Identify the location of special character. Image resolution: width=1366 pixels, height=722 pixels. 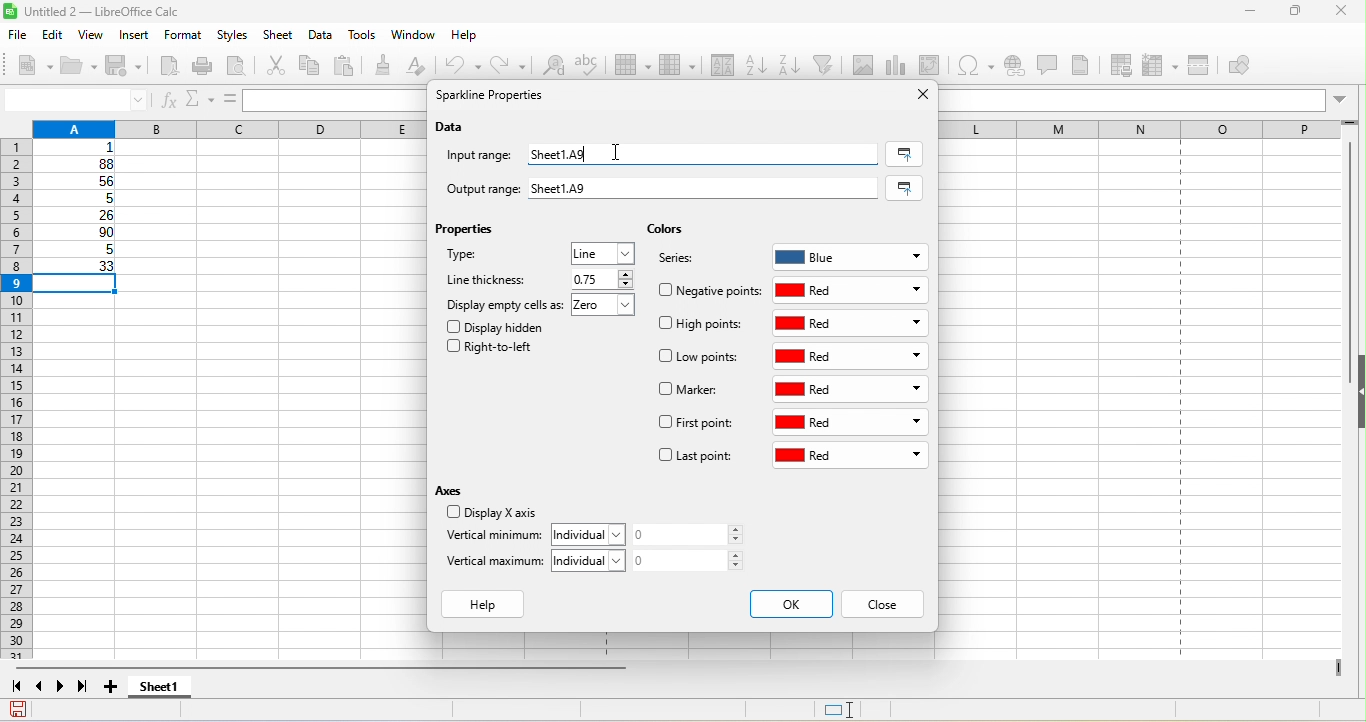
(974, 66).